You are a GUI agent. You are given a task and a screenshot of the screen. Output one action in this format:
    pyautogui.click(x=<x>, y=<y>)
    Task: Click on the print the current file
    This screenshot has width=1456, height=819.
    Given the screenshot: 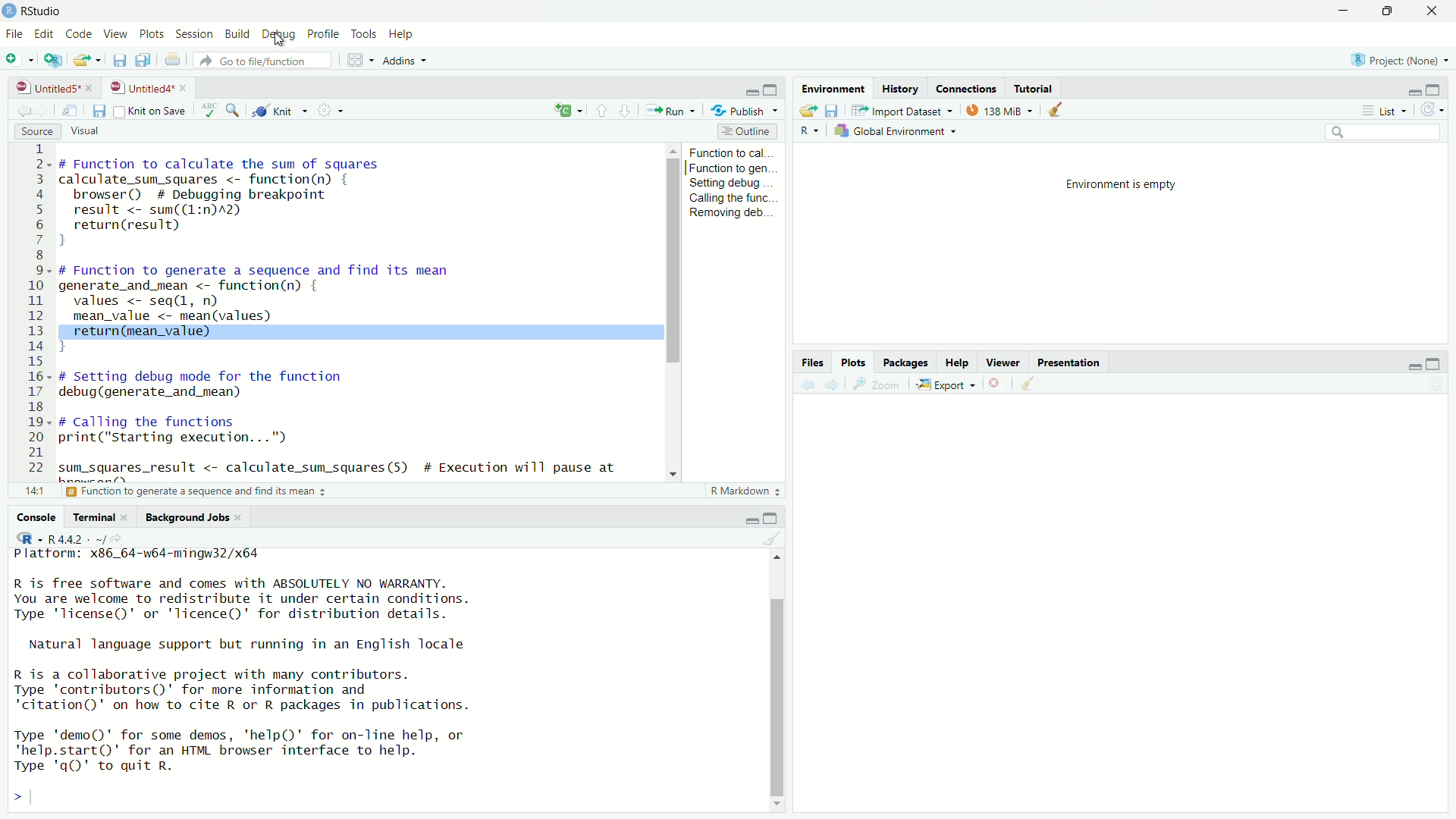 What is the action you would take?
    pyautogui.click(x=175, y=59)
    